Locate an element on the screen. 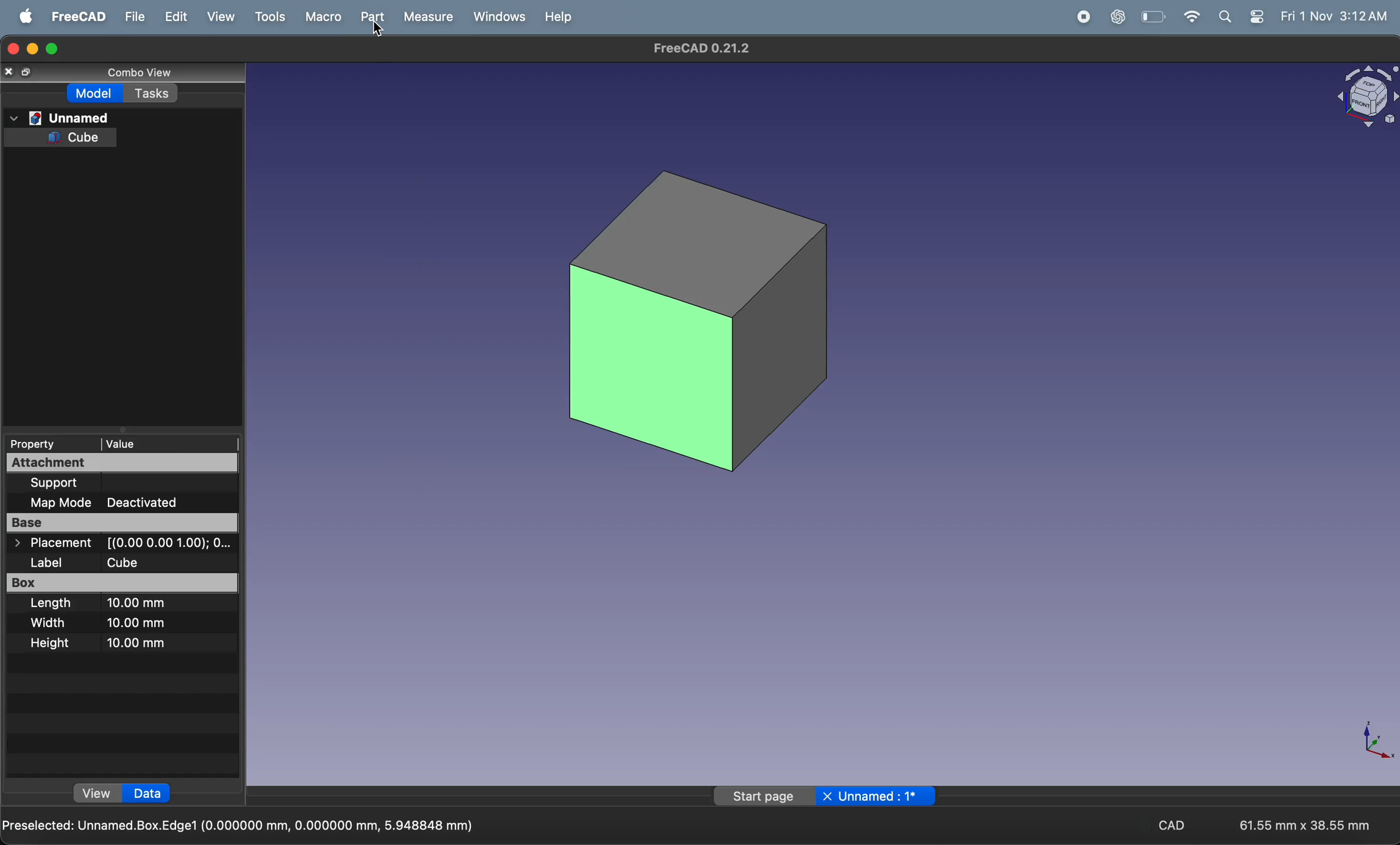  minimize is located at coordinates (33, 49).